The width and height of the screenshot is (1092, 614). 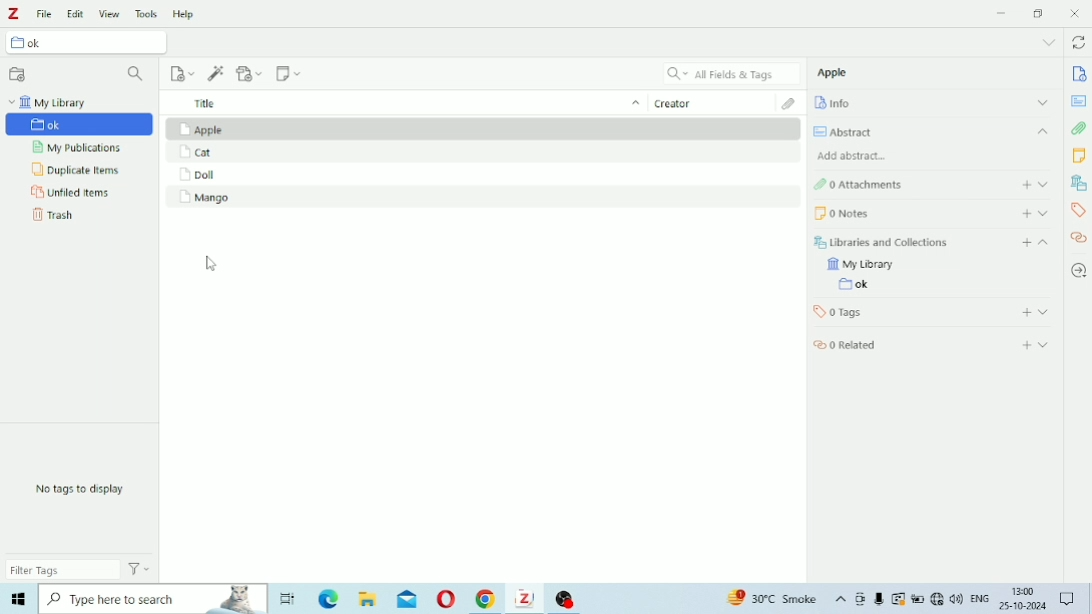 What do you see at coordinates (833, 73) in the screenshot?
I see `Apple` at bounding box center [833, 73].